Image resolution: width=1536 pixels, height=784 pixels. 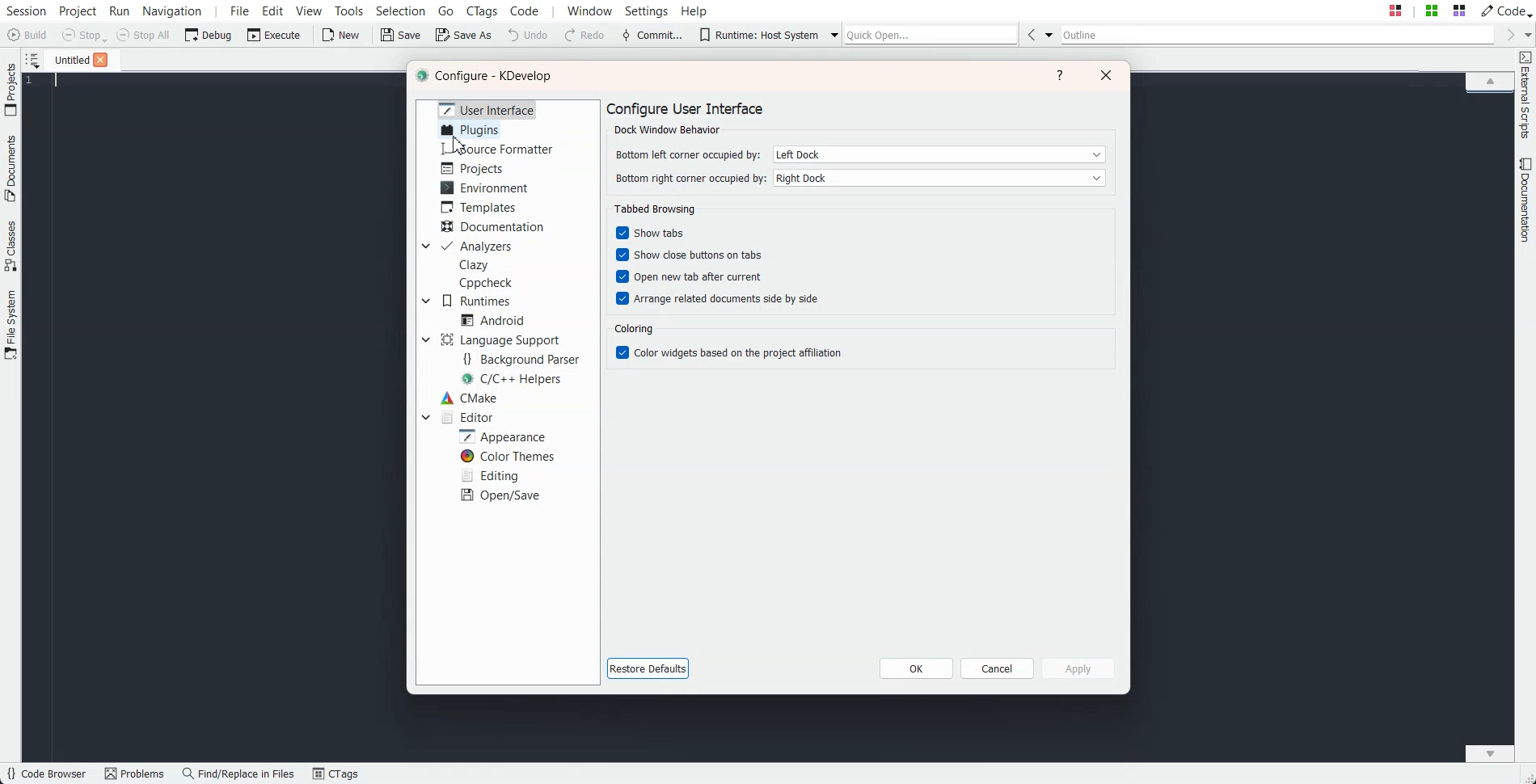 I want to click on Quick Open, so click(x=1427, y=11).